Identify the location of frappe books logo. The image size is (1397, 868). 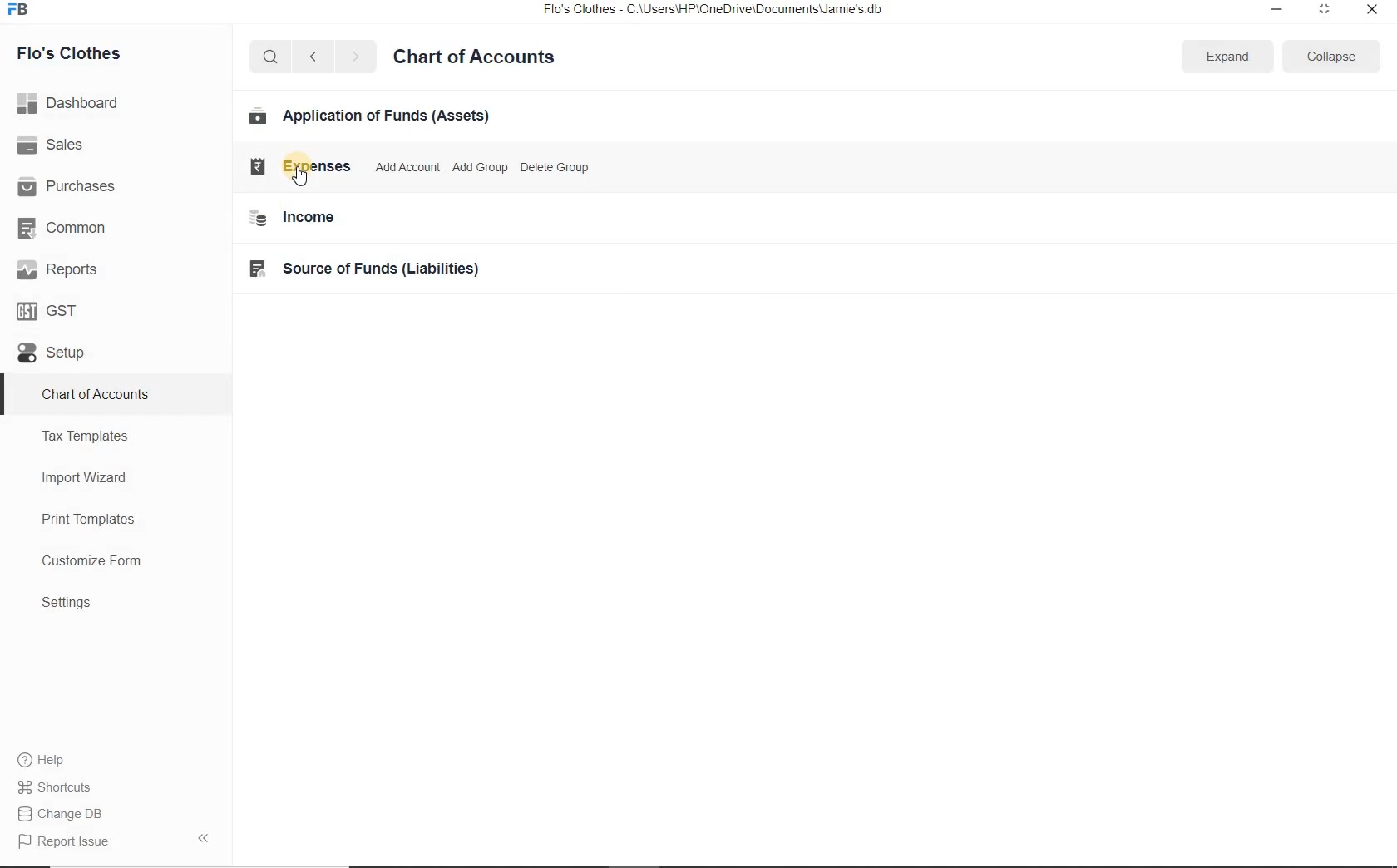
(22, 11).